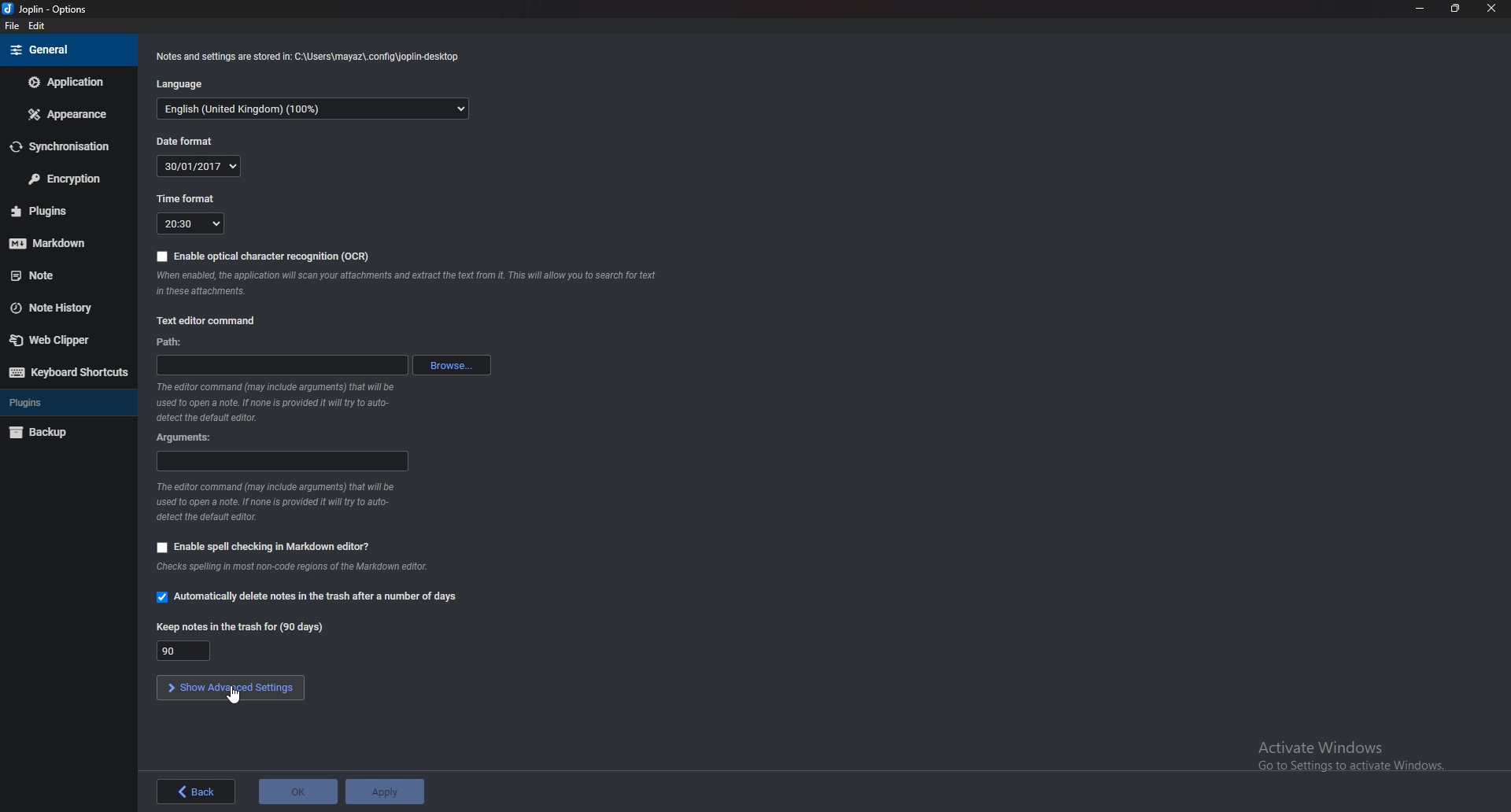 The image size is (1511, 812). What do you see at coordinates (59, 276) in the screenshot?
I see `note` at bounding box center [59, 276].